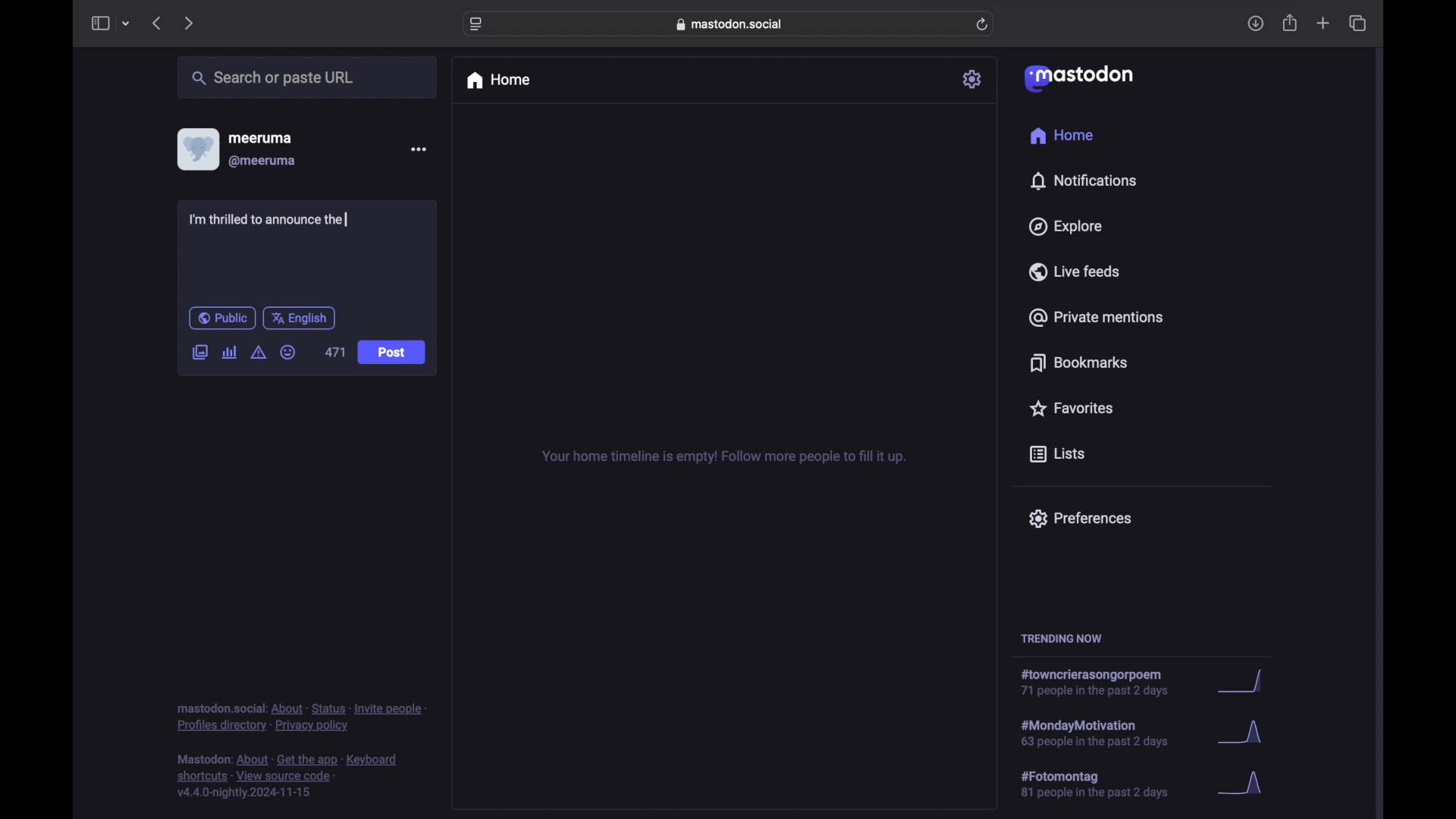  What do you see at coordinates (1061, 639) in the screenshot?
I see `trending now` at bounding box center [1061, 639].